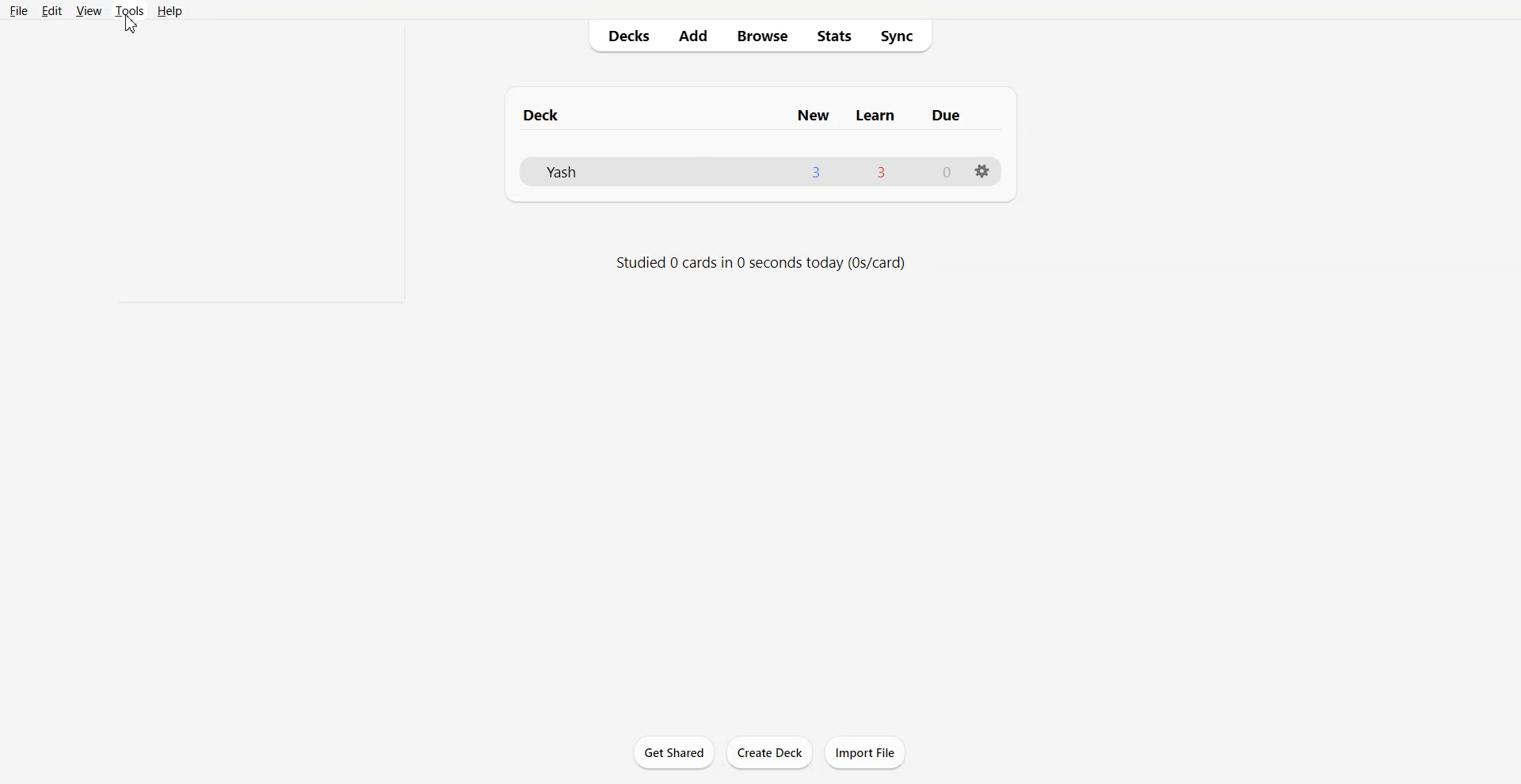  Describe the element at coordinates (815, 116) in the screenshot. I see `new` at that location.